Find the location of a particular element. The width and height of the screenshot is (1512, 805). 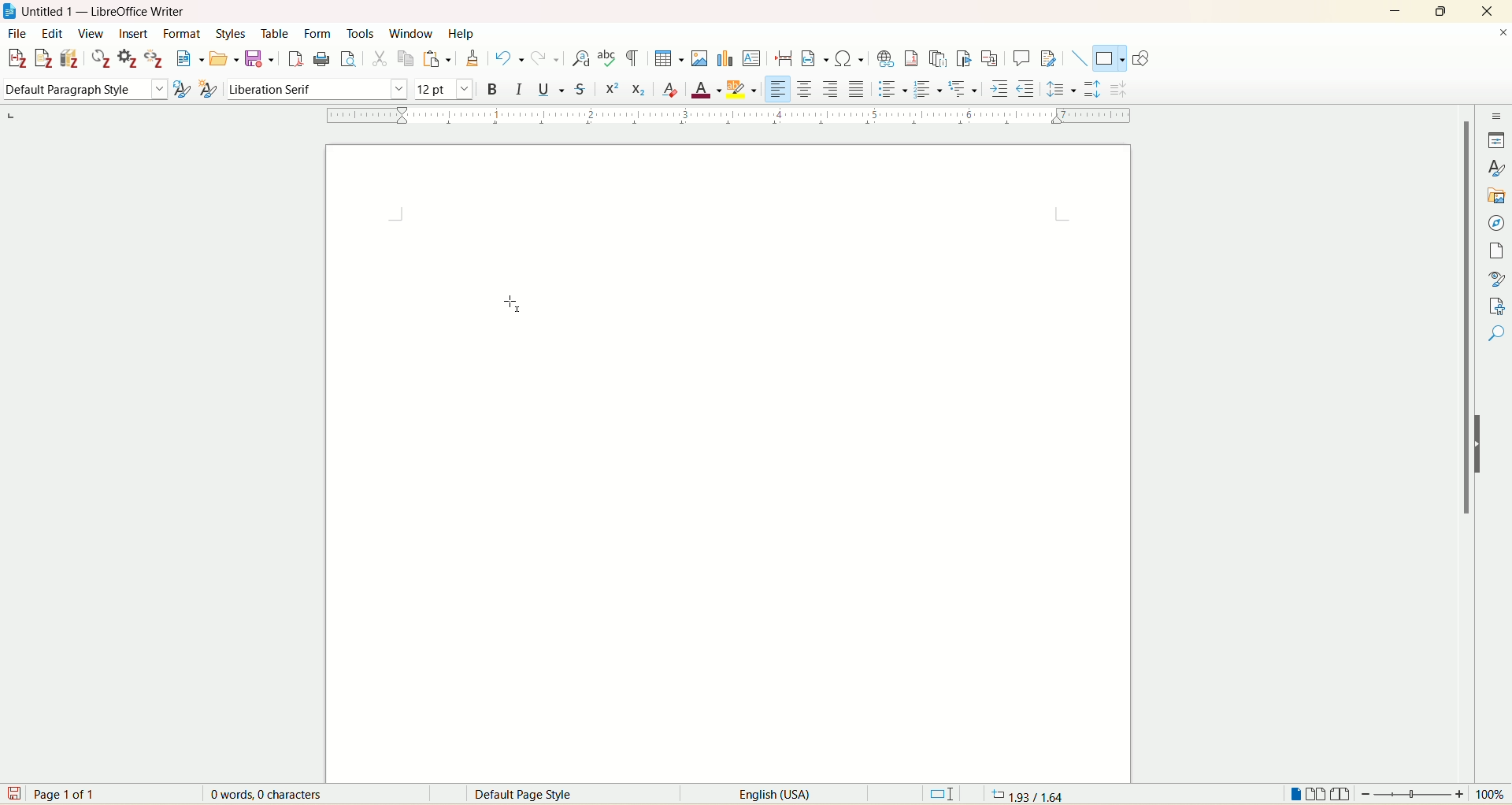

align center is located at coordinates (804, 90).